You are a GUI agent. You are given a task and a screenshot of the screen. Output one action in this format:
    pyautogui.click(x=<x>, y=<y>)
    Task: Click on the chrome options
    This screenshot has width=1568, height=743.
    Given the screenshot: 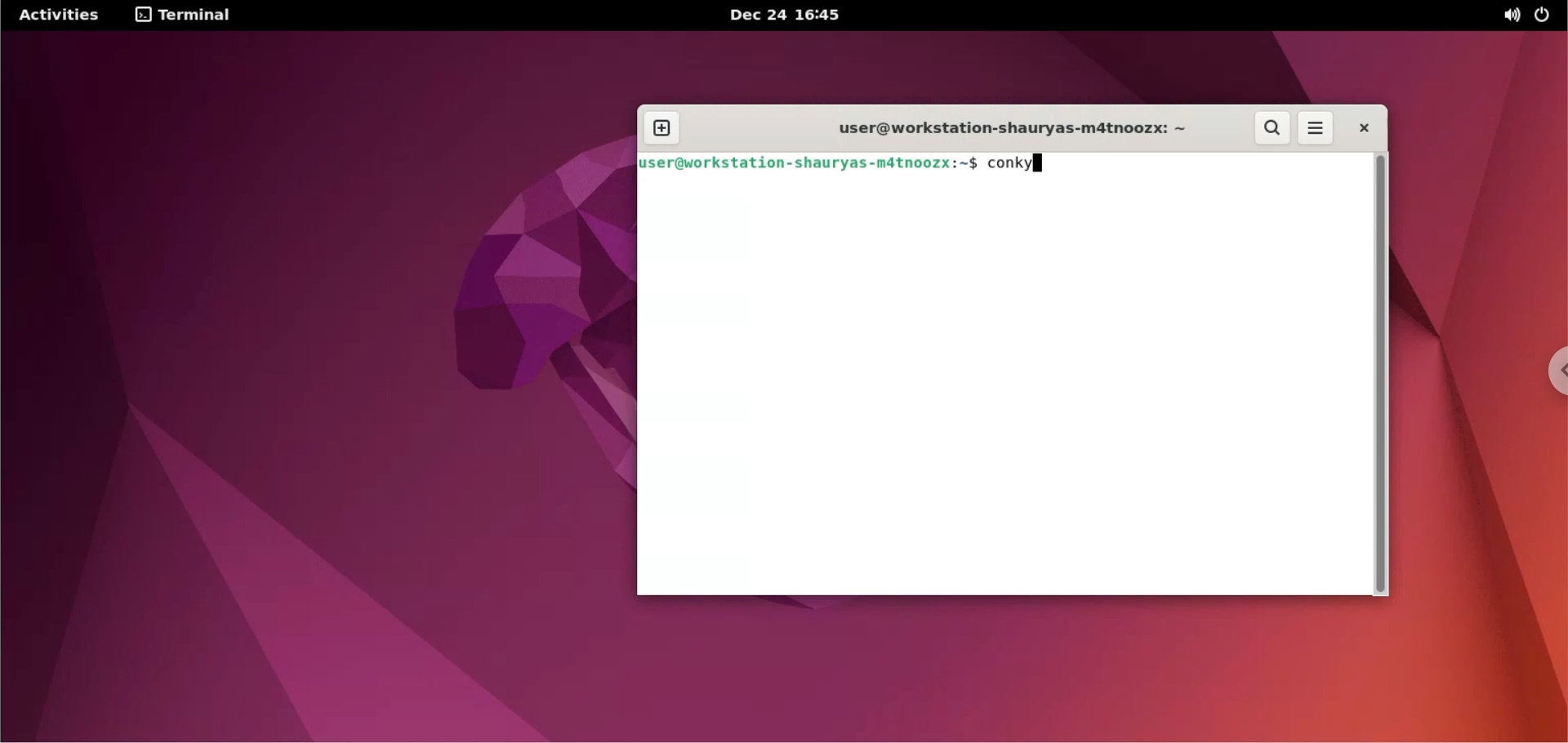 What is the action you would take?
    pyautogui.click(x=1554, y=374)
    